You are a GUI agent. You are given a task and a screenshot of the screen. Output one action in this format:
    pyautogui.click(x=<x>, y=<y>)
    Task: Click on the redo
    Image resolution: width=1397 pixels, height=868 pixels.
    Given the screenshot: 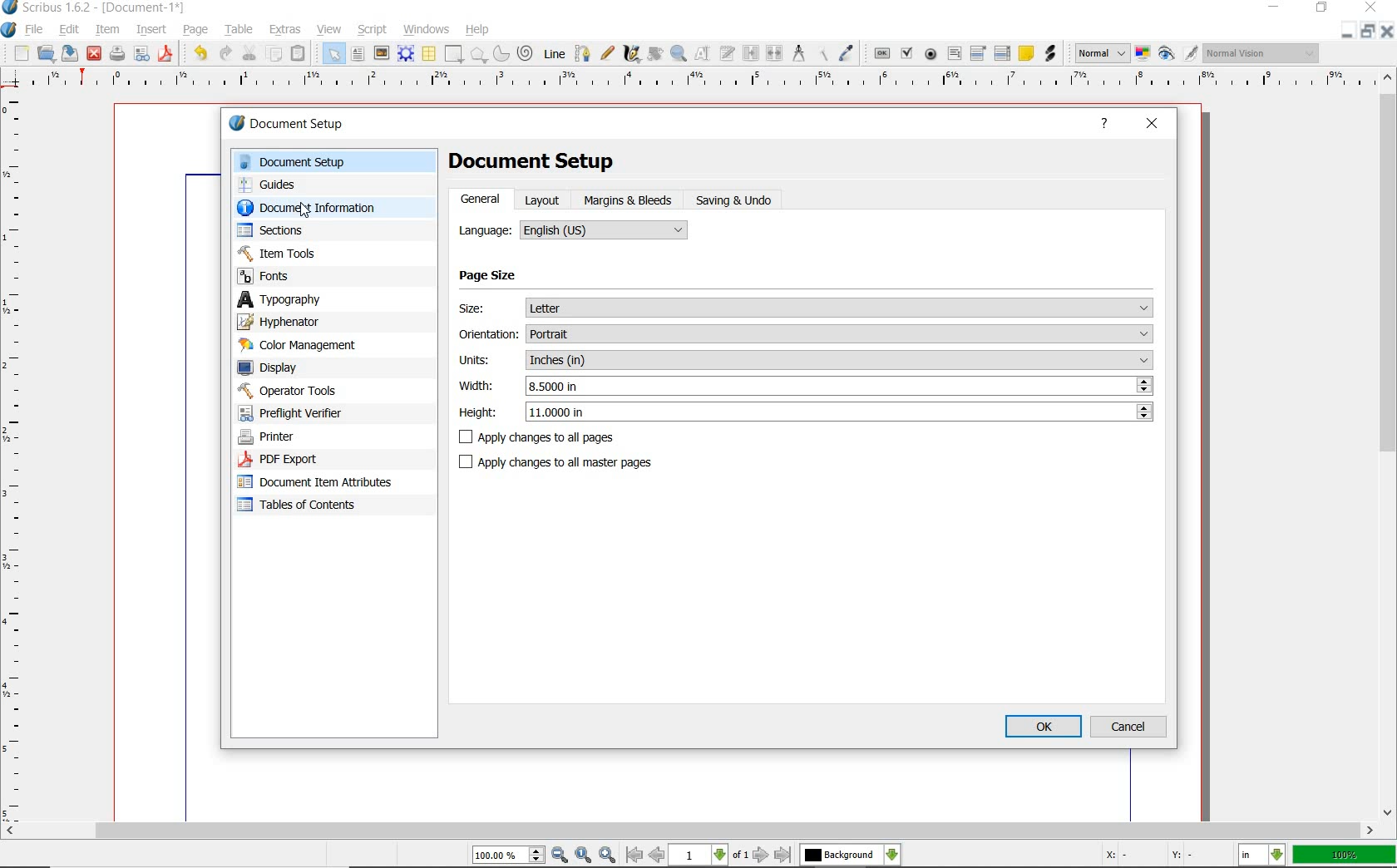 What is the action you would take?
    pyautogui.click(x=227, y=54)
    